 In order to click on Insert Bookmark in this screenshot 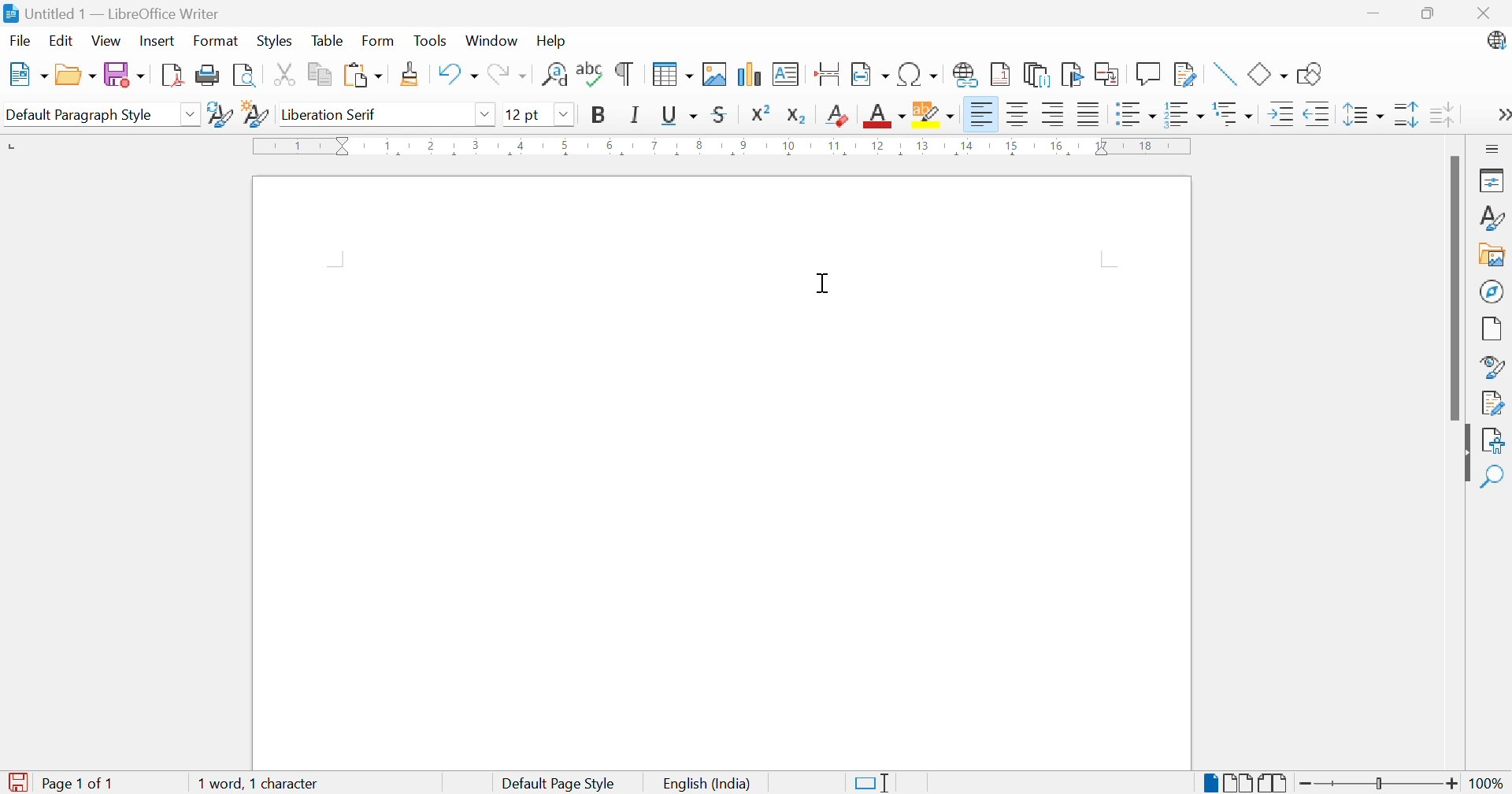, I will do `click(1070, 74)`.